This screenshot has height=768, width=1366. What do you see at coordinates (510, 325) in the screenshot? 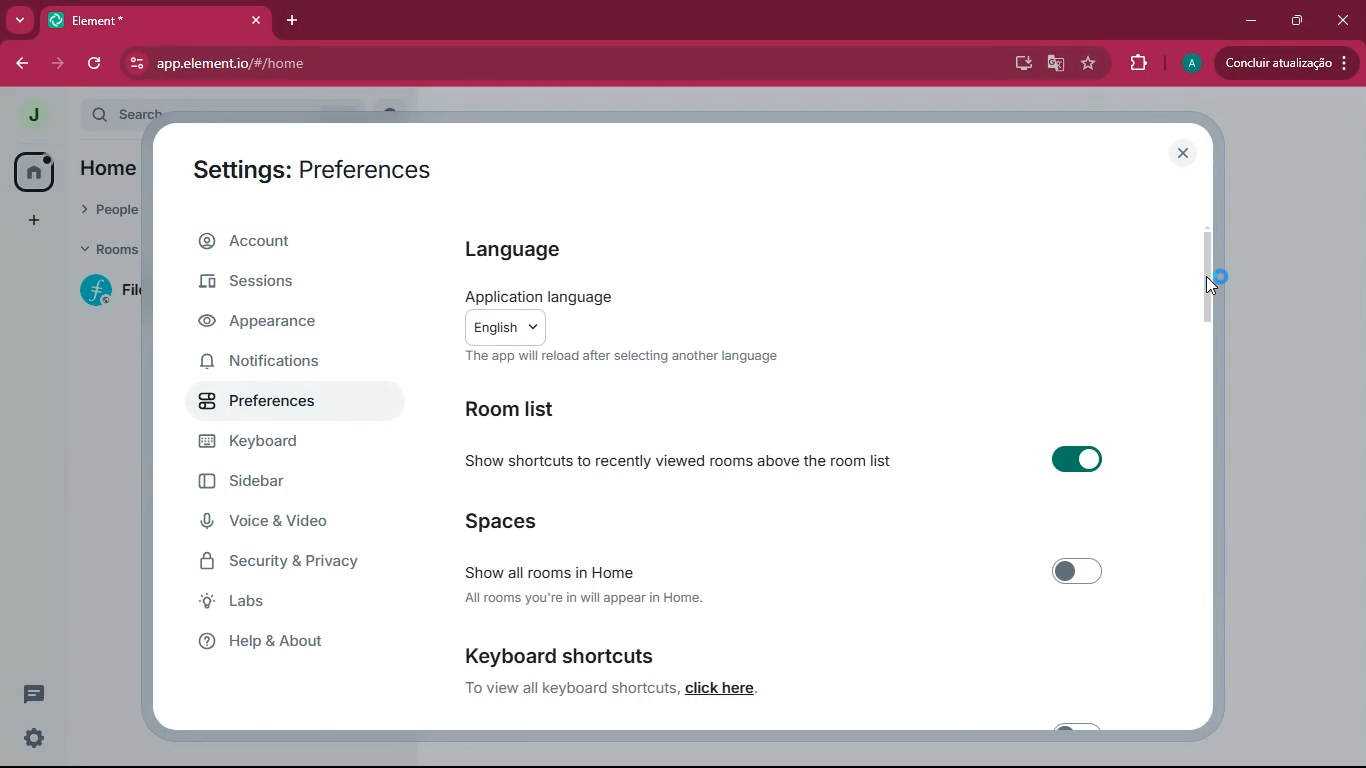
I see `English` at bounding box center [510, 325].